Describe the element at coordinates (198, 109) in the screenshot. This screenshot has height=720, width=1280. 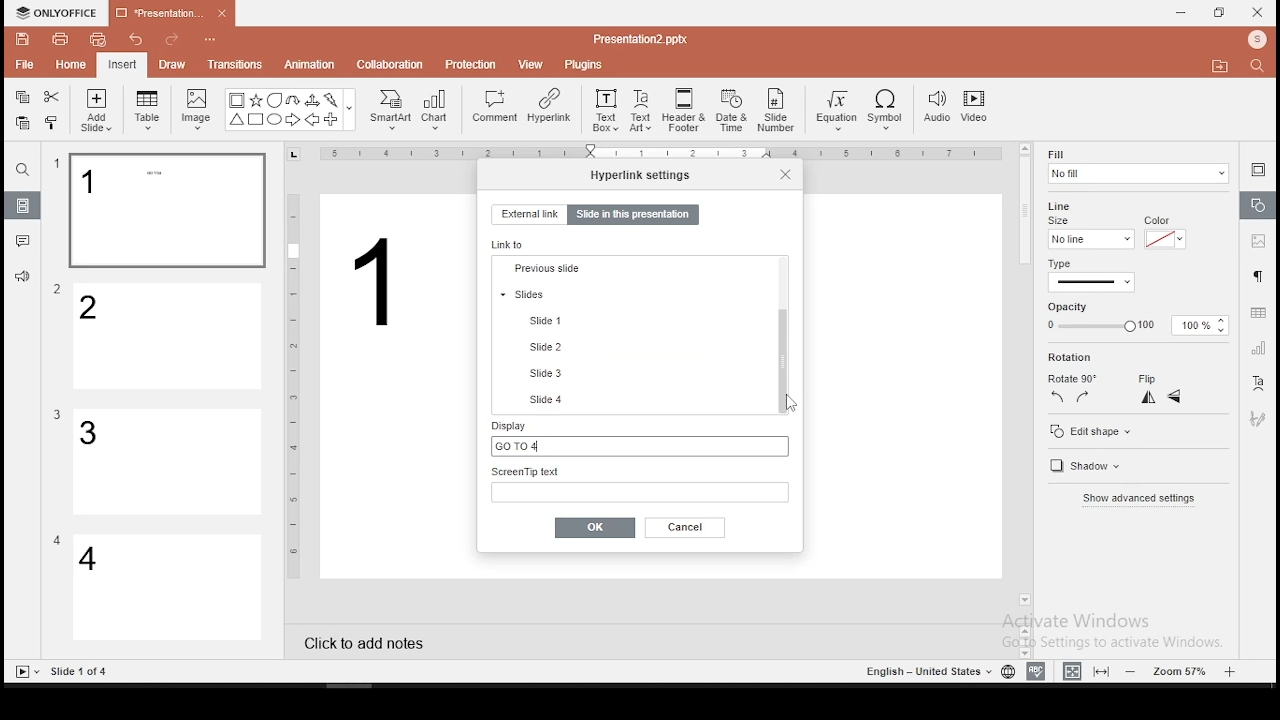
I see `image` at that location.